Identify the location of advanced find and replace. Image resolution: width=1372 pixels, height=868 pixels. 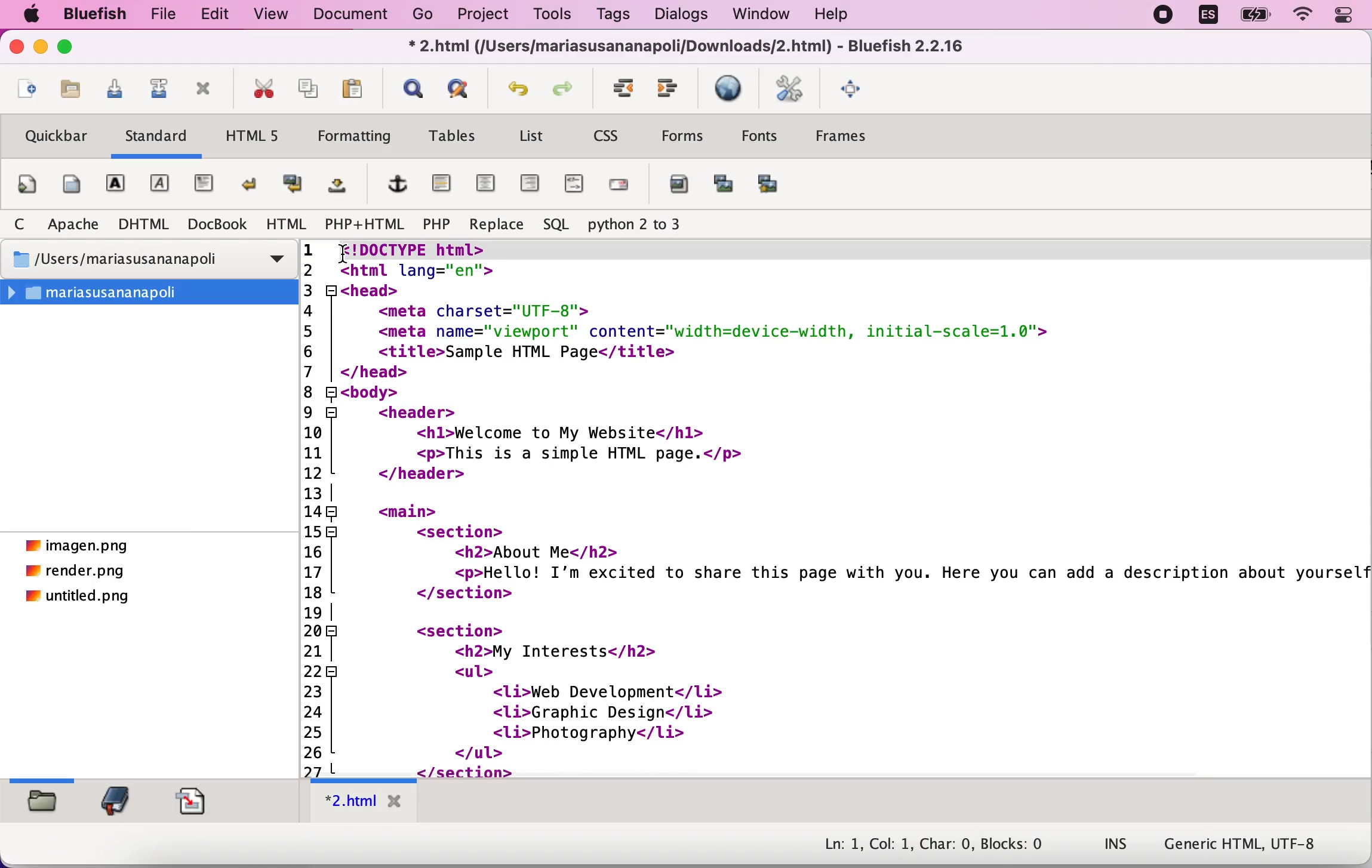
(463, 90).